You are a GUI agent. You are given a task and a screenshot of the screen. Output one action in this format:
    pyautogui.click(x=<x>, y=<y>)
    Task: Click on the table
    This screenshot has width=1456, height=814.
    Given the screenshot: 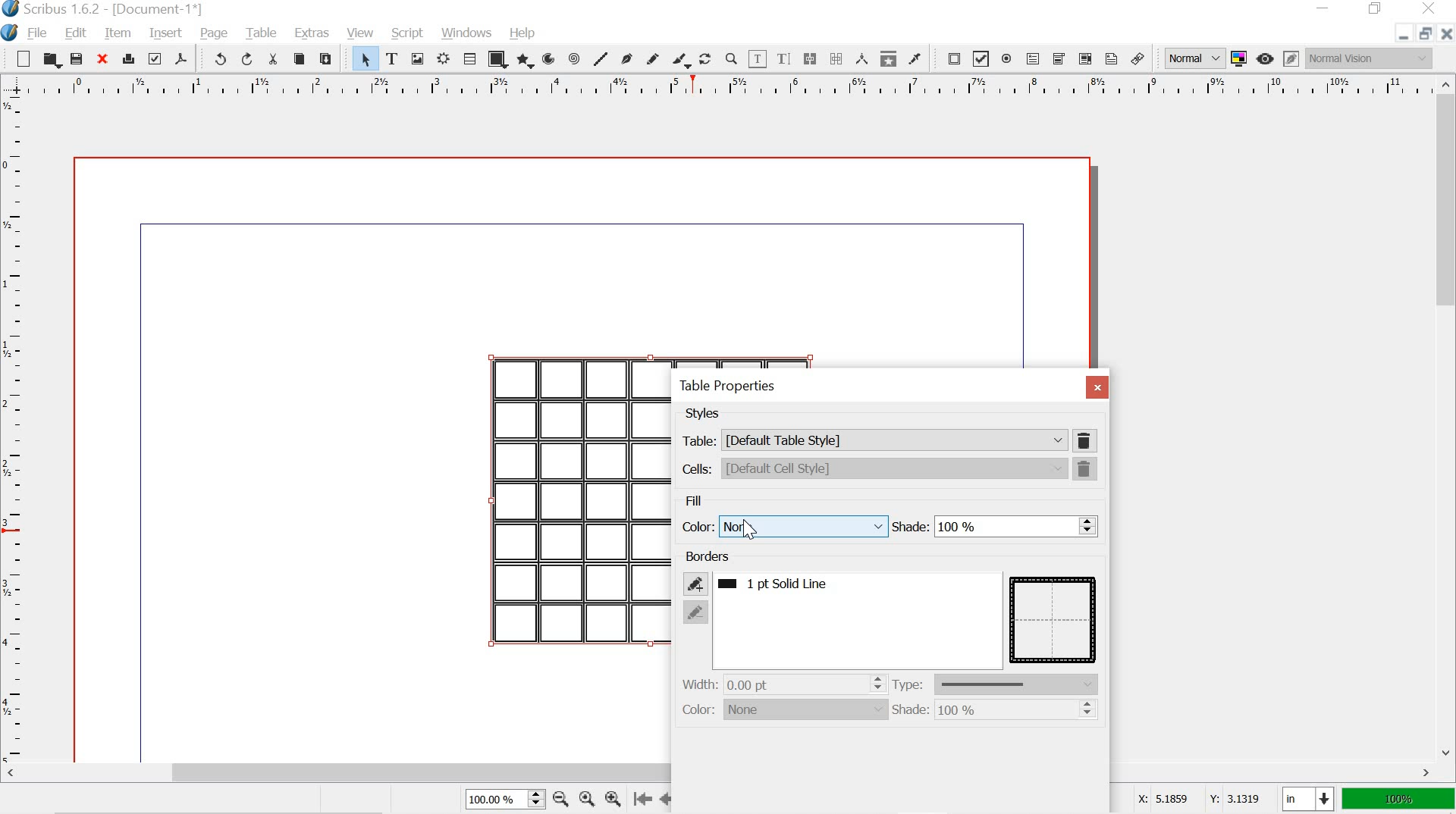 What is the action you would take?
    pyautogui.click(x=261, y=32)
    